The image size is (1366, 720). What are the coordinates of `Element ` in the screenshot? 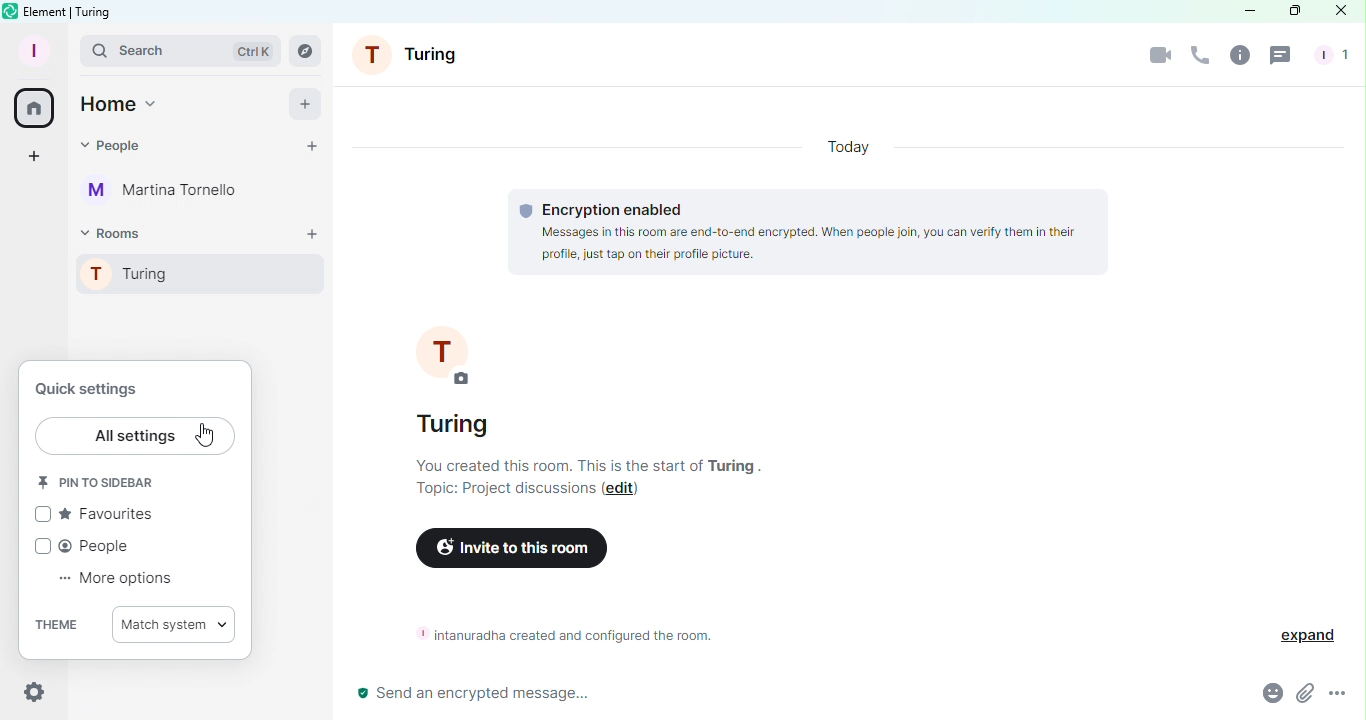 It's located at (47, 10).